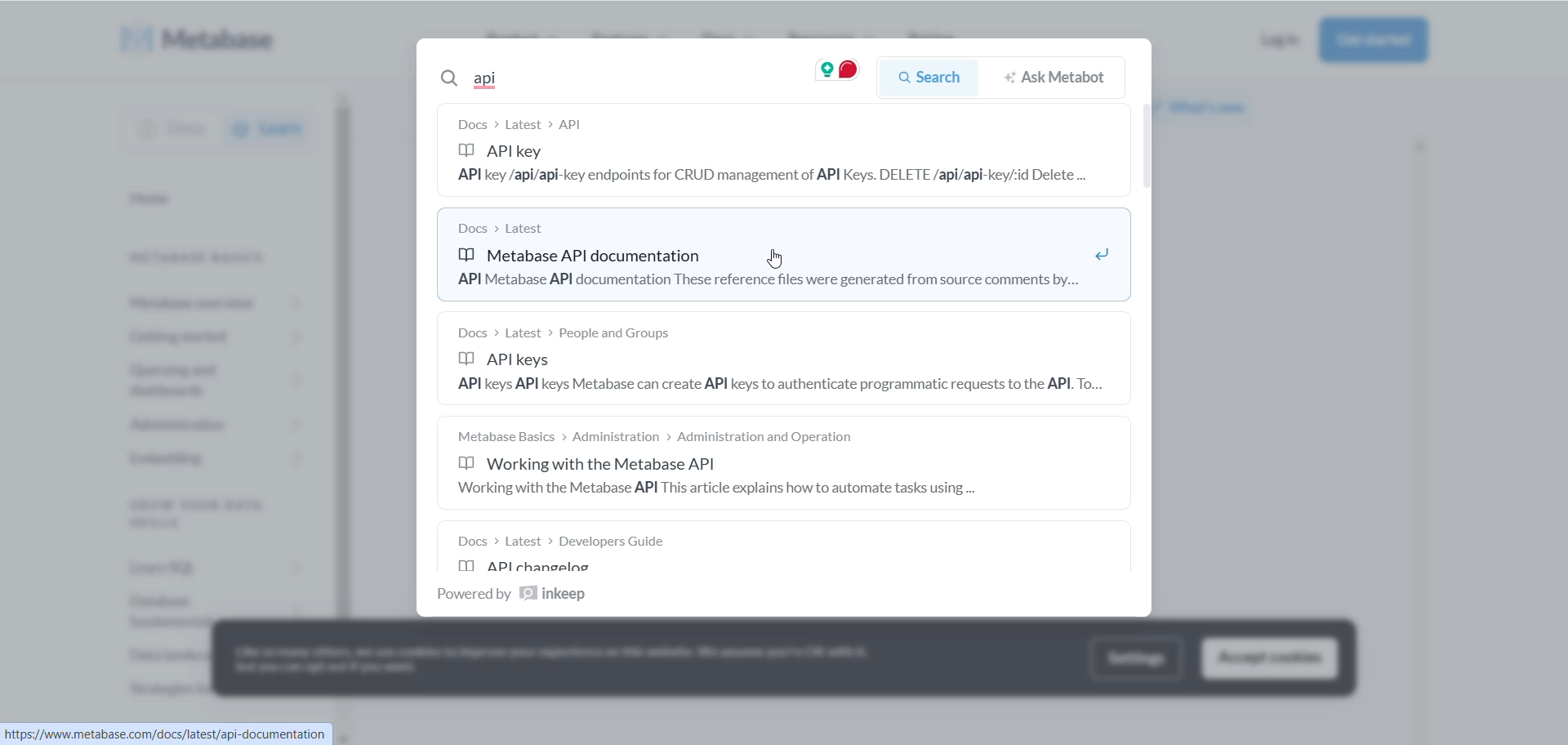  What do you see at coordinates (776, 257) in the screenshot?
I see `METABASE API DOCUMENTATION` at bounding box center [776, 257].